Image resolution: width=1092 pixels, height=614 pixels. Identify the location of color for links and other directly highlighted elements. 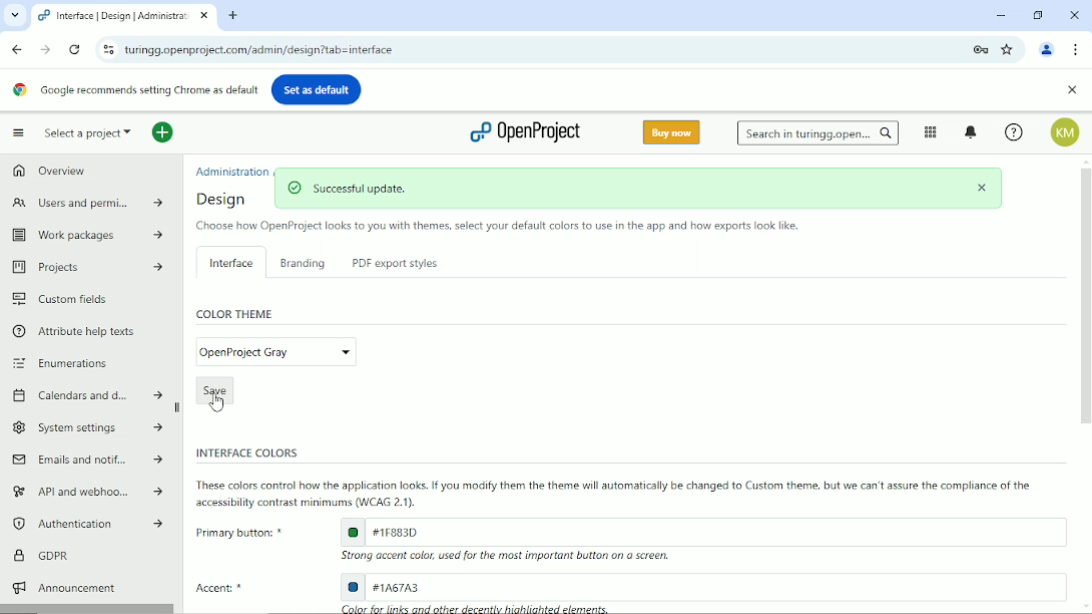
(477, 608).